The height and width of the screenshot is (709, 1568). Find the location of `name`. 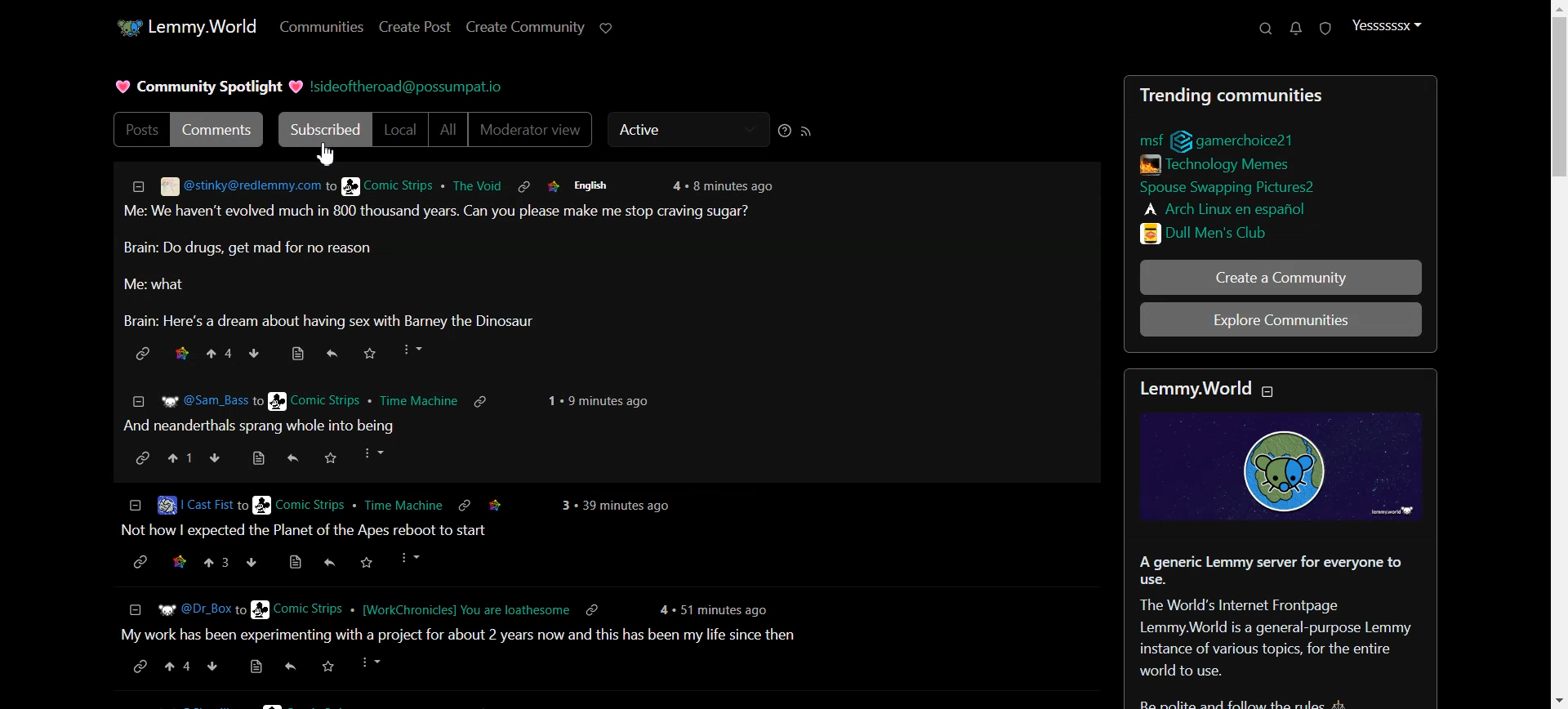

name is located at coordinates (359, 398).